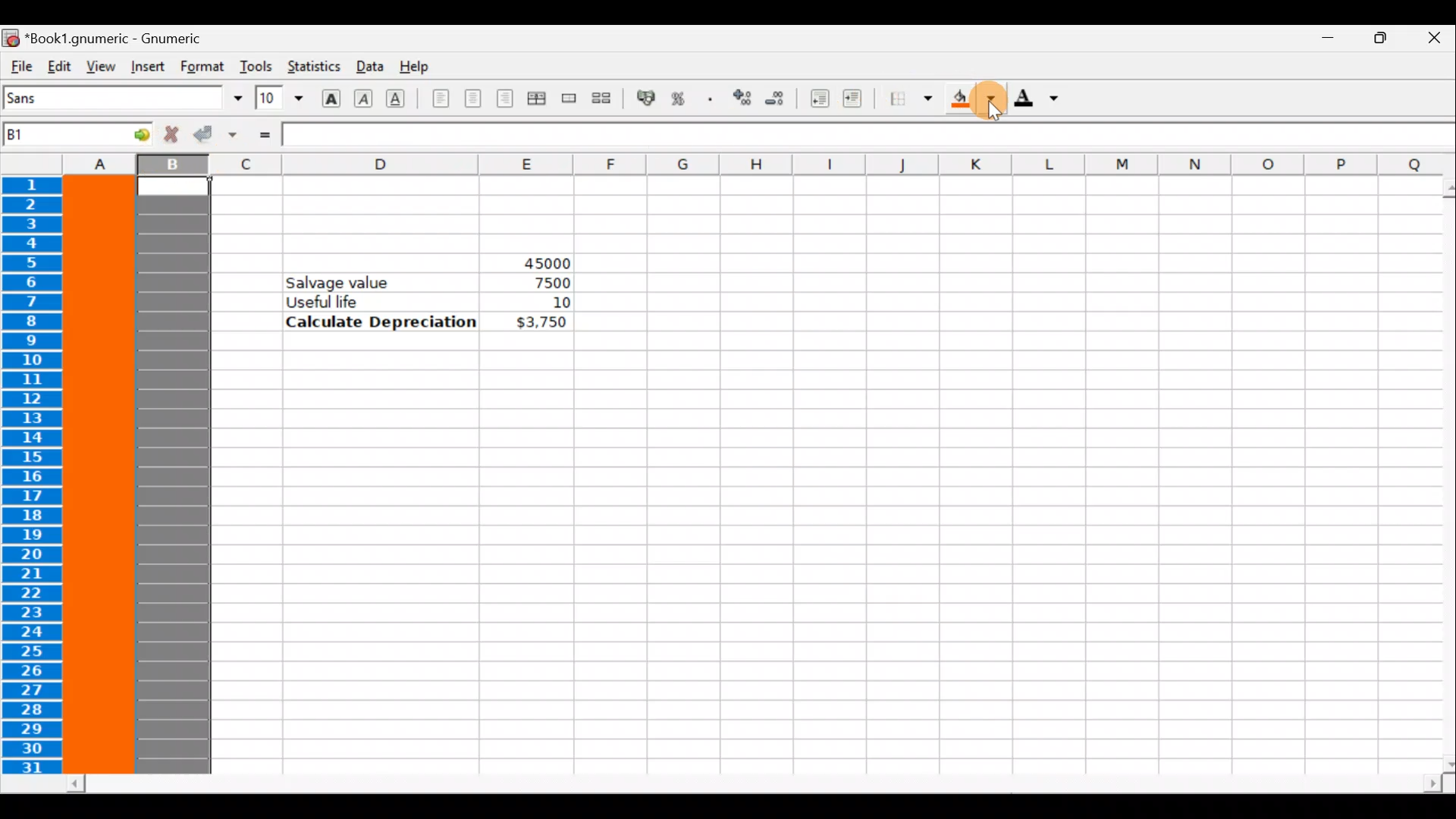 This screenshot has height=819, width=1456. Describe the element at coordinates (54, 136) in the screenshot. I see `Cell name B1` at that location.